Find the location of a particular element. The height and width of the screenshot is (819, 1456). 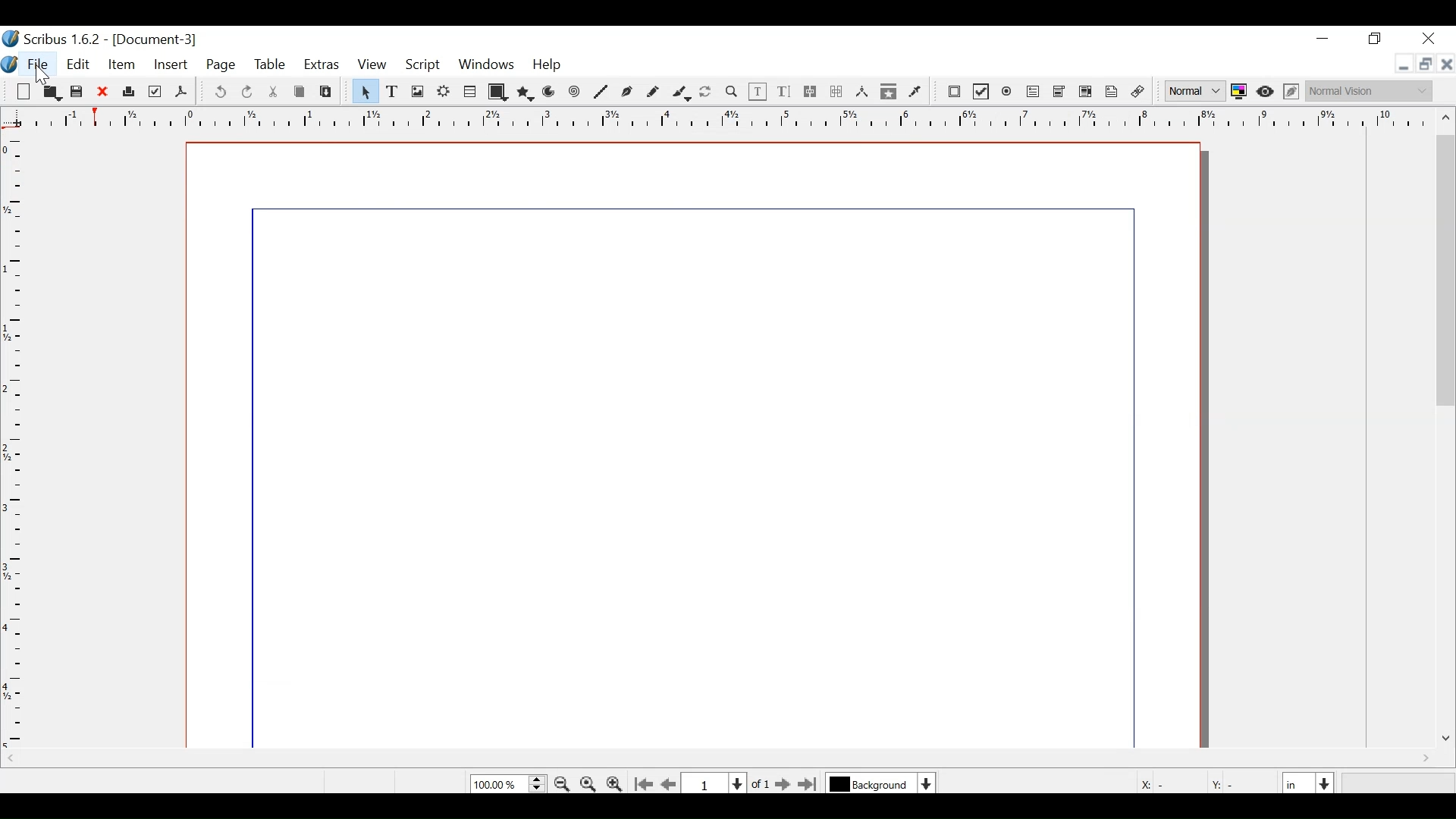

Go to previous page is located at coordinates (670, 784).